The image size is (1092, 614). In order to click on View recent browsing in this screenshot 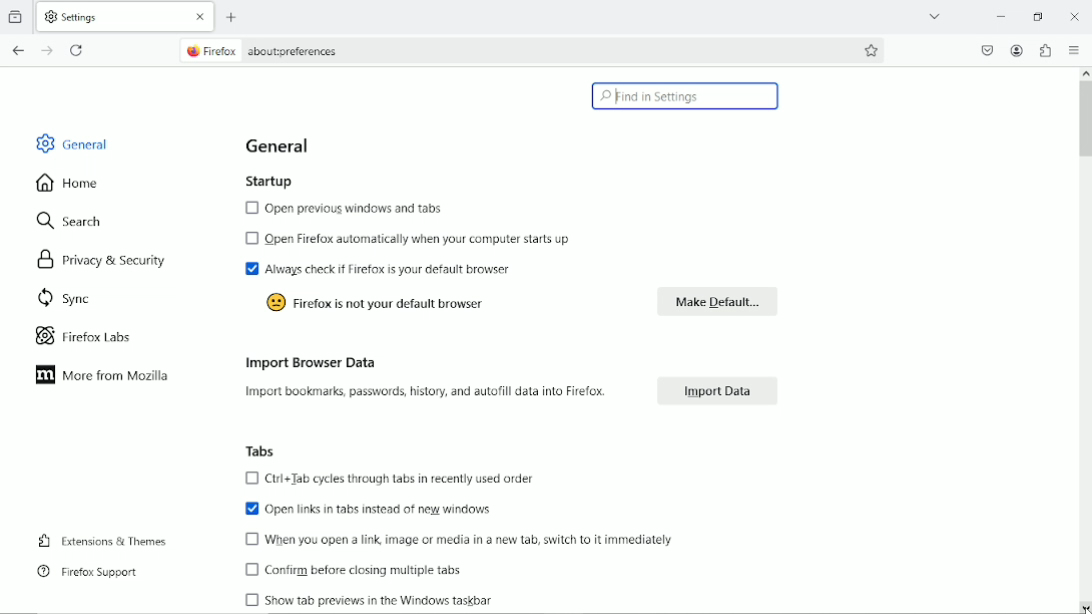, I will do `click(15, 17)`.